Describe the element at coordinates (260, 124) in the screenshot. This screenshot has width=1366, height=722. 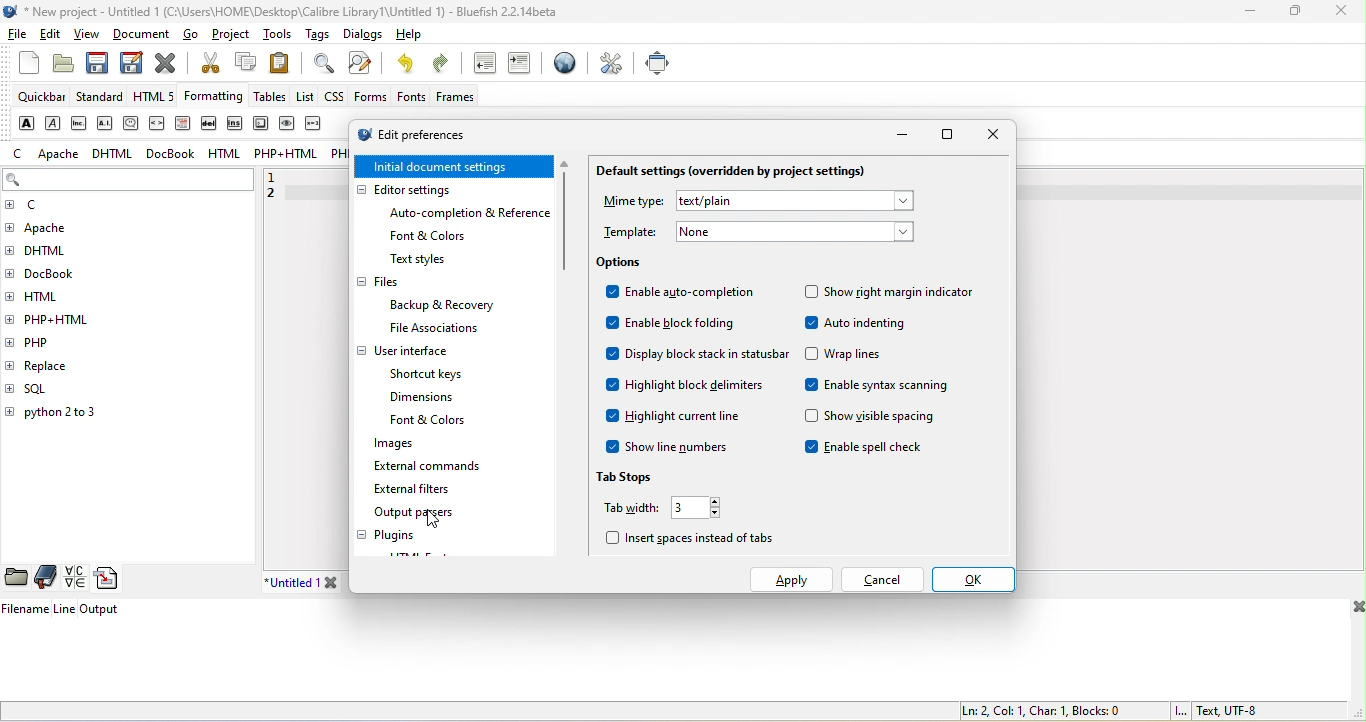
I see `keyboard` at that location.